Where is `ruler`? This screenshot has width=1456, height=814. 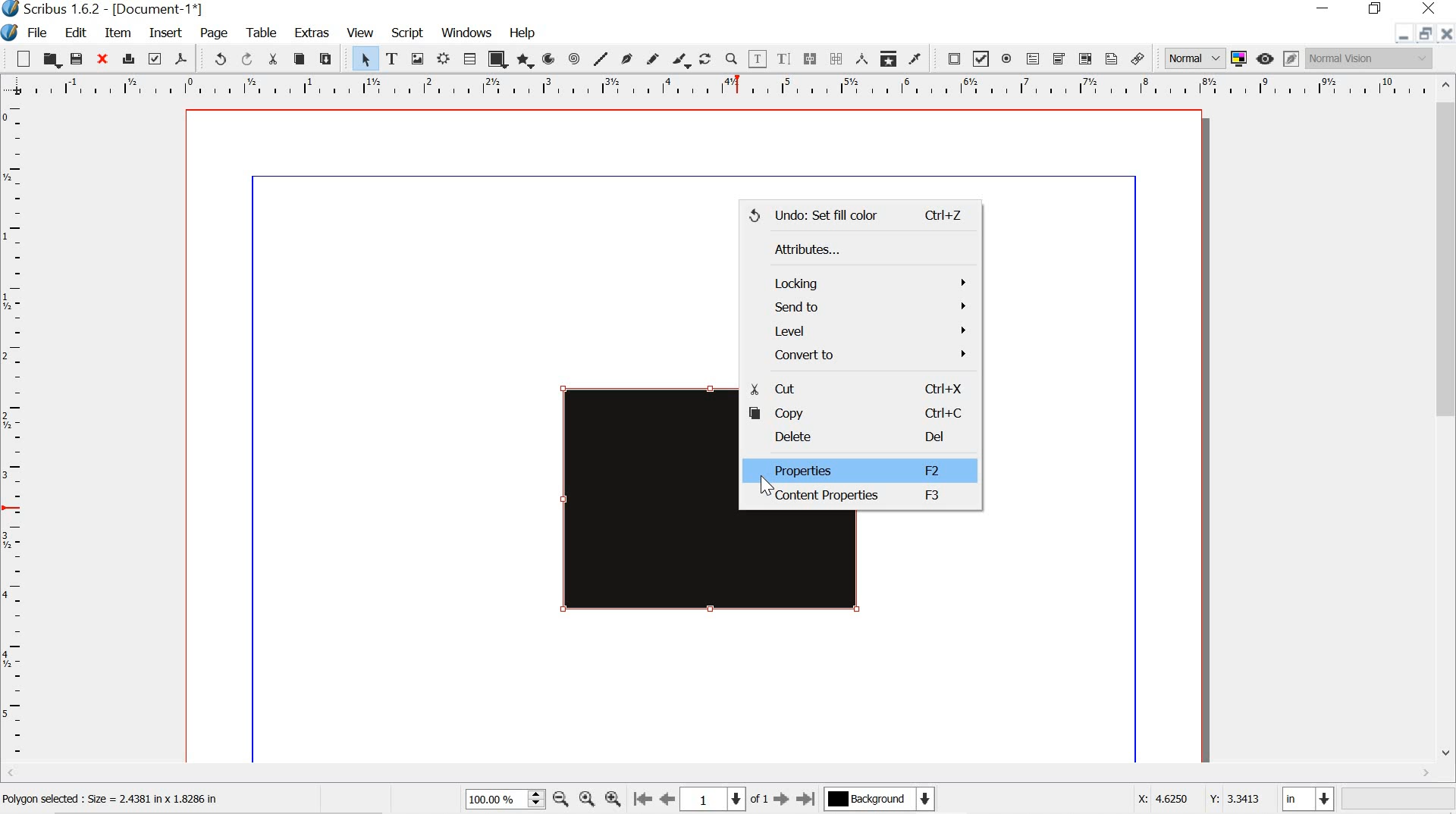 ruler is located at coordinates (14, 434).